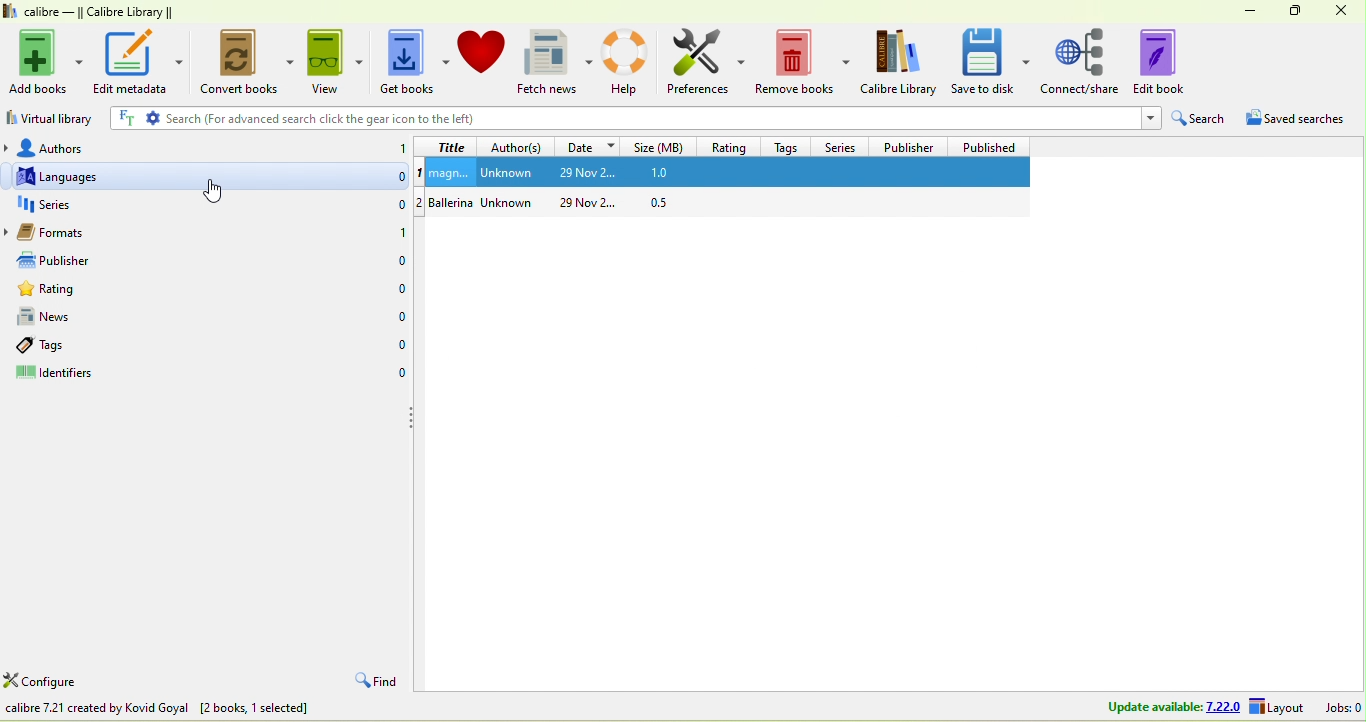  I want to click on authors, so click(95, 149).